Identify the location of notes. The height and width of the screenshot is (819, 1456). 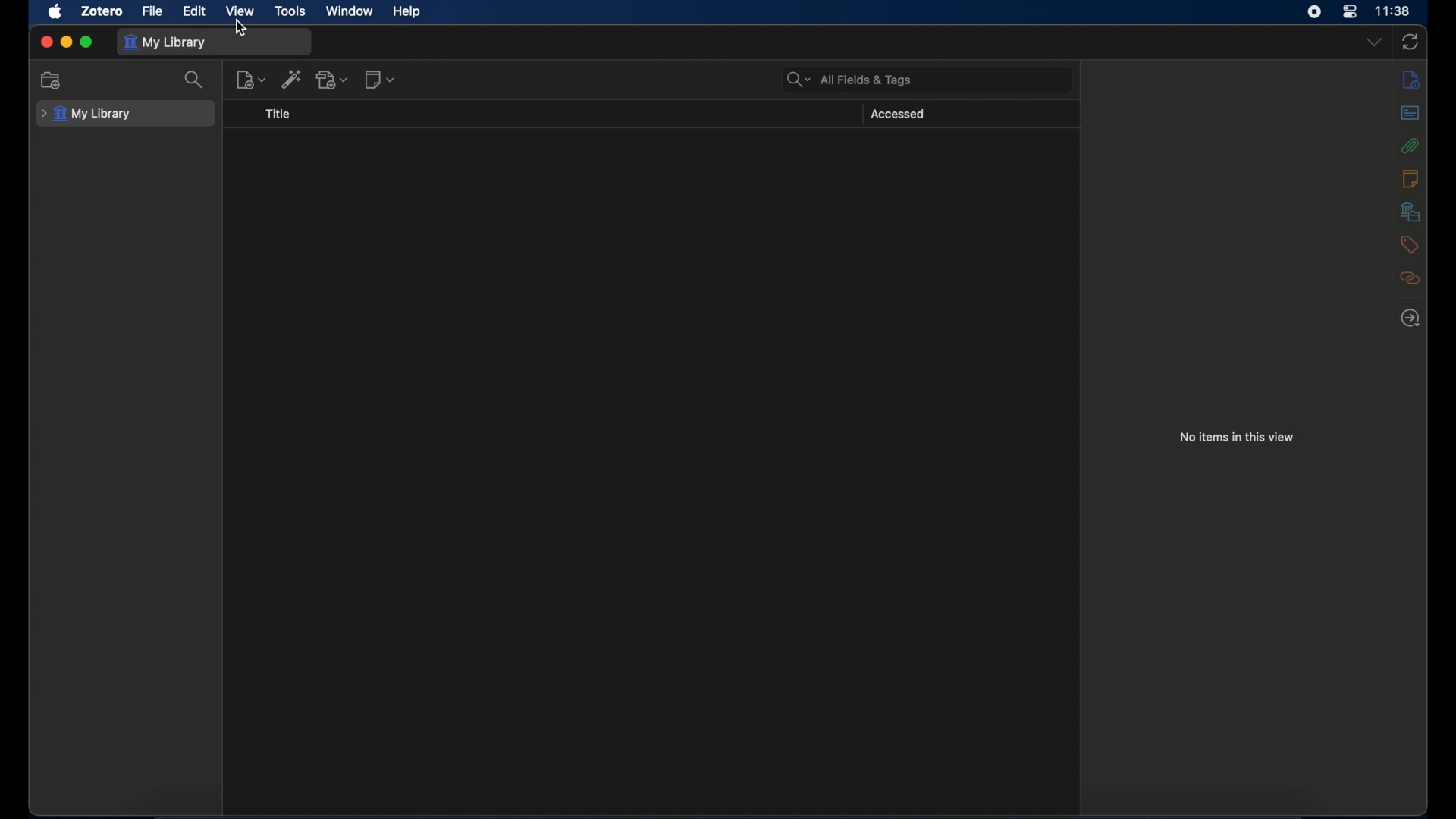
(1412, 178).